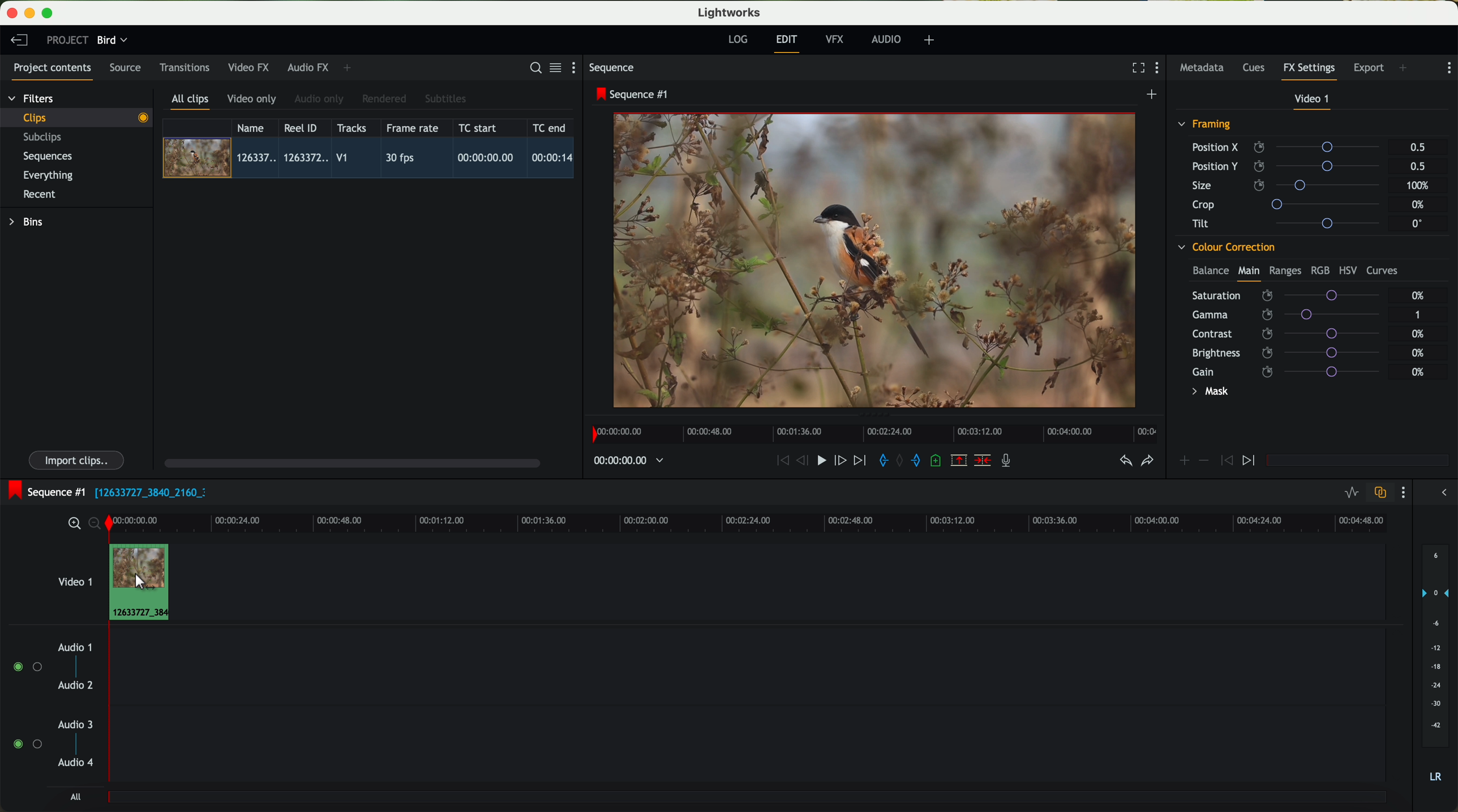 Image resolution: width=1458 pixels, height=812 pixels. Describe the element at coordinates (1211, 272) in the screenshot. I see `balance` at that location.